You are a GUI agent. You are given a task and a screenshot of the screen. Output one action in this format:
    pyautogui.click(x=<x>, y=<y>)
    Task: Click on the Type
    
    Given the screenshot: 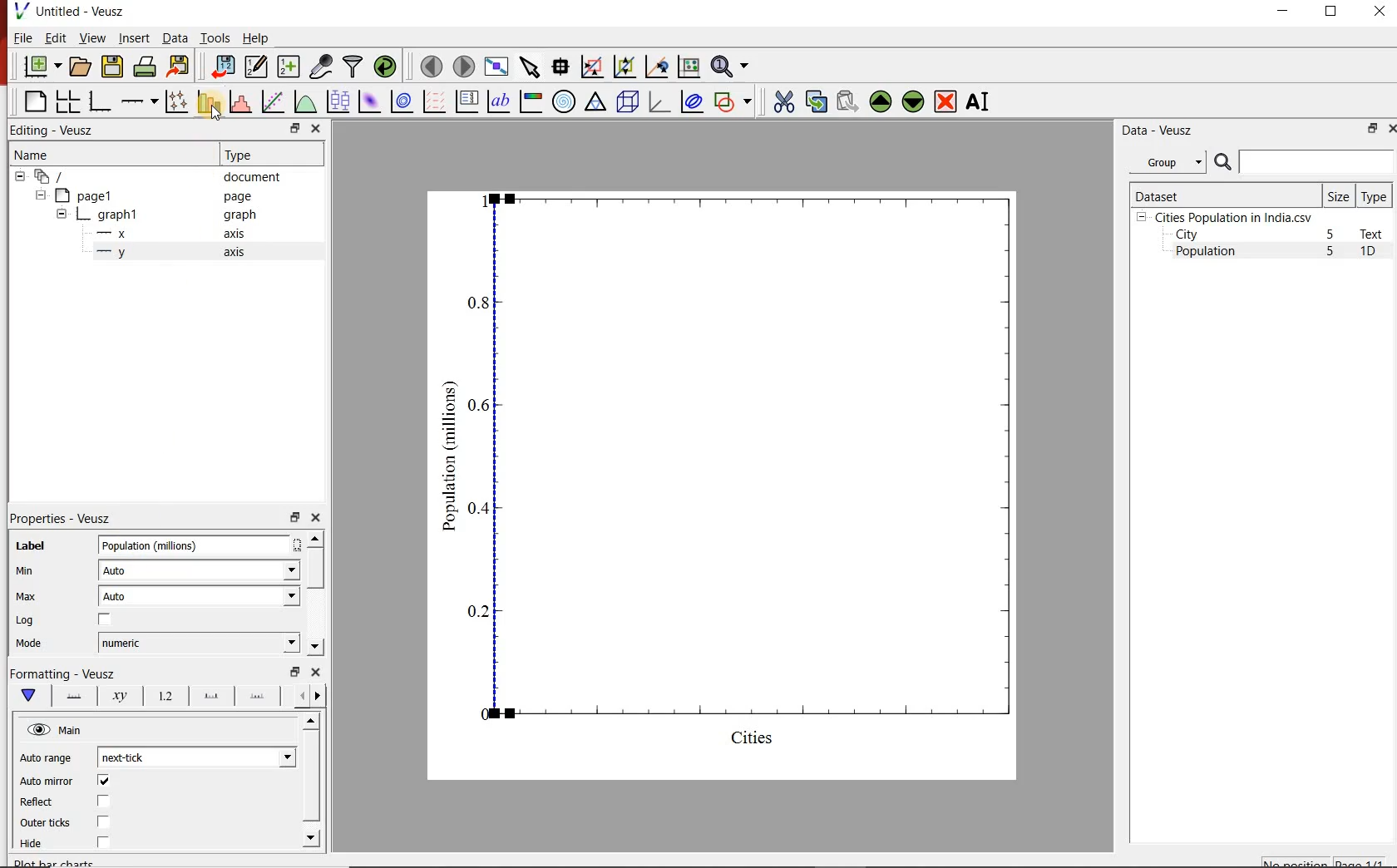 What is the action you would take?
    pyautogui.click(x=1375, y=195)
    